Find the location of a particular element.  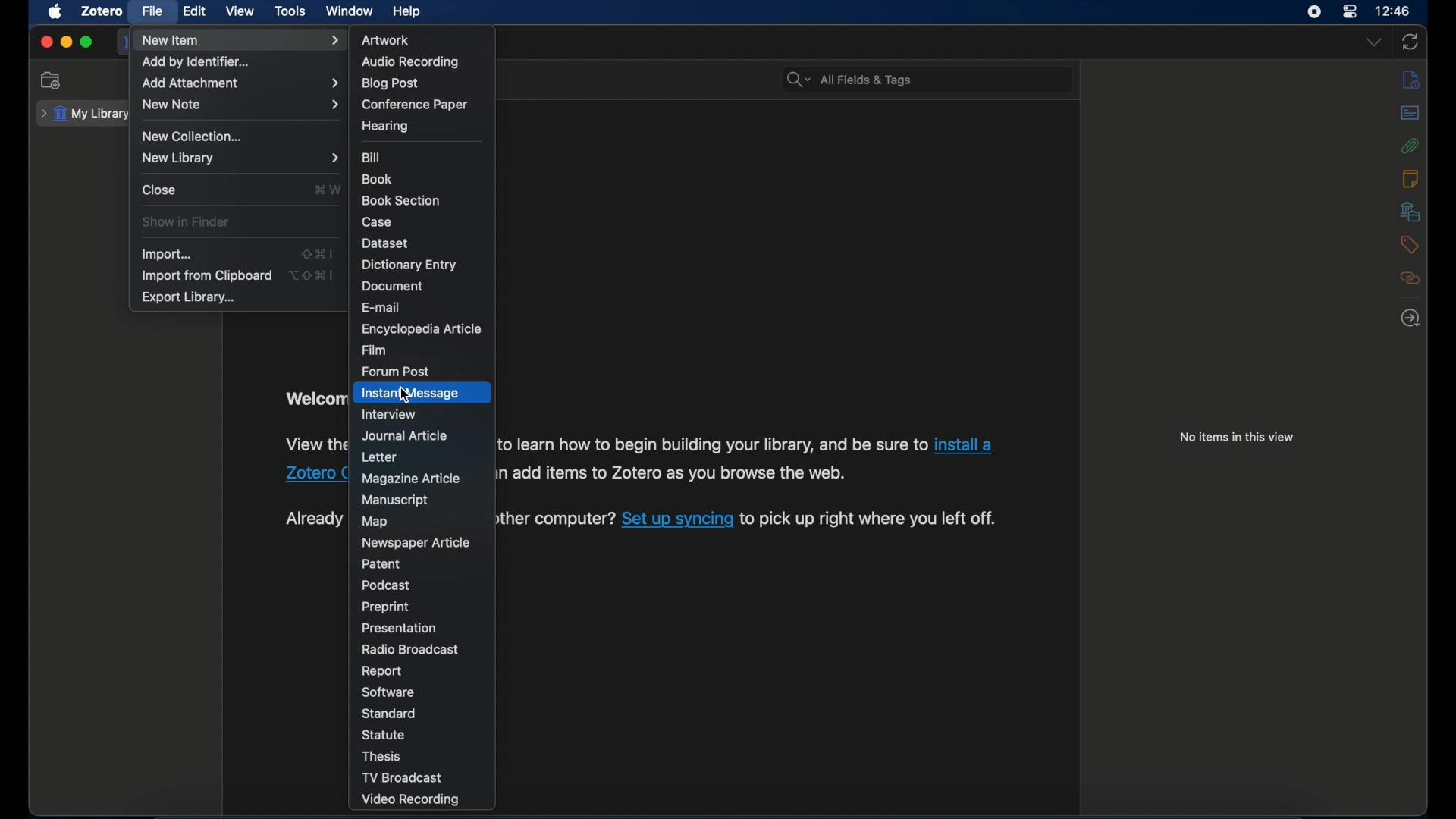

close is located at coordinates (45, 42).